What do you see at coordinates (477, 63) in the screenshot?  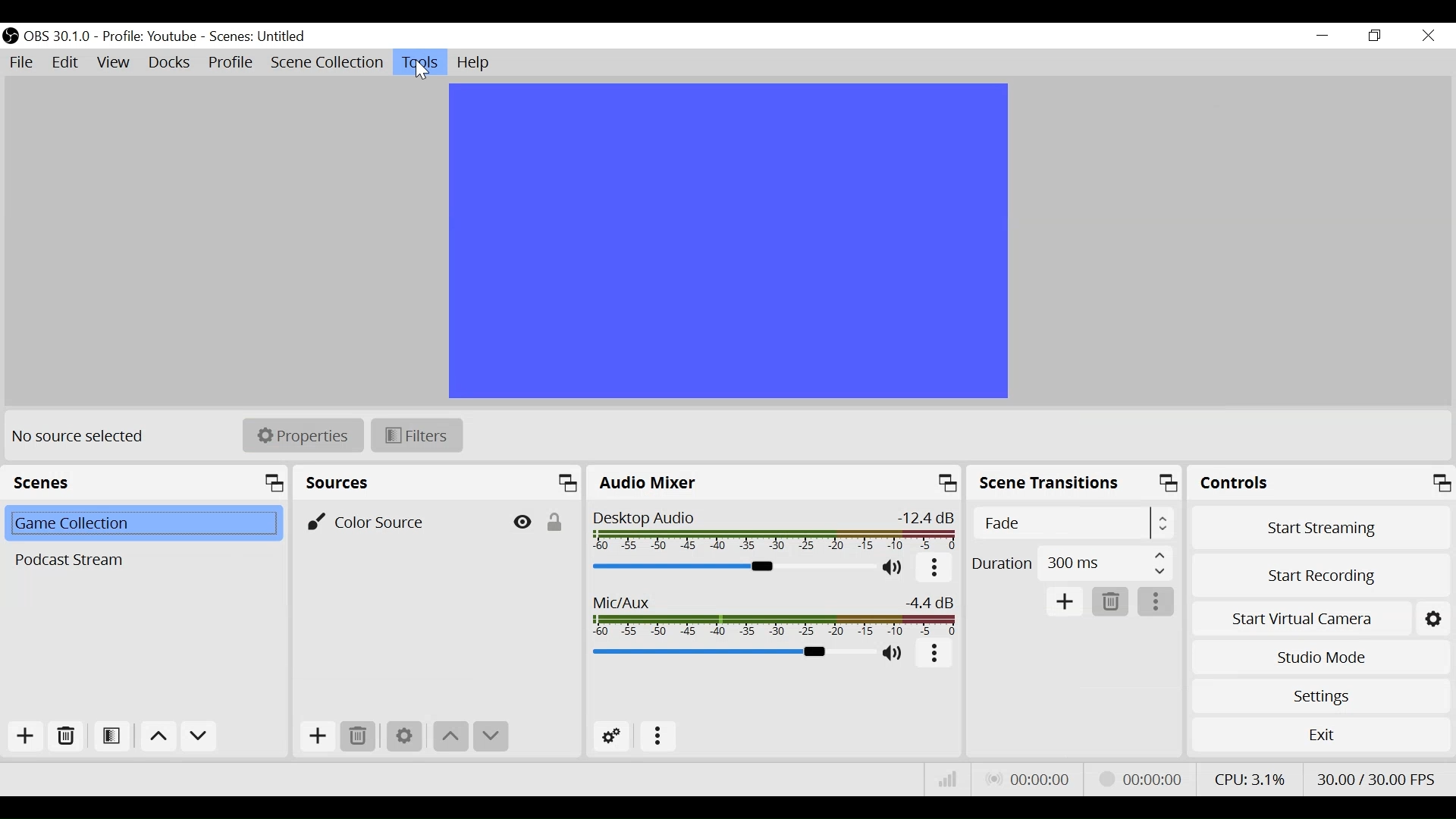 I see `Help` at bounding box center [477, 63].